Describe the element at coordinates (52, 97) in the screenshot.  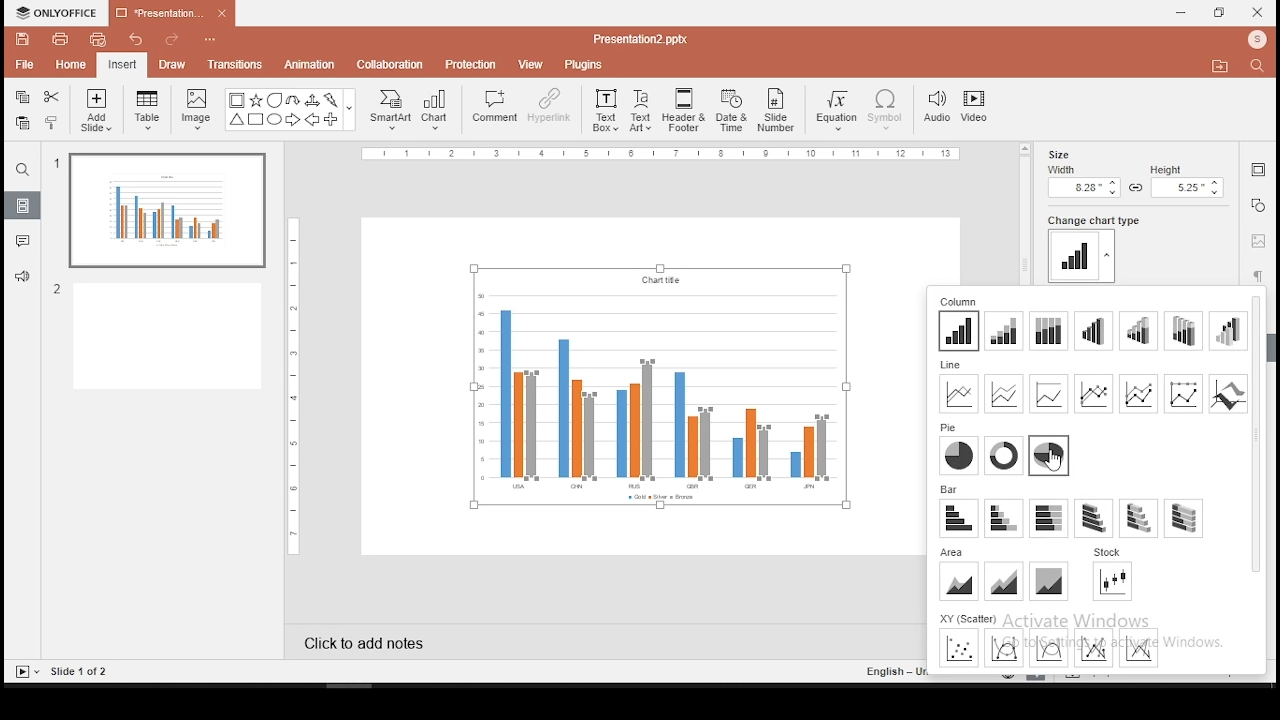
I see `cut` at that location.